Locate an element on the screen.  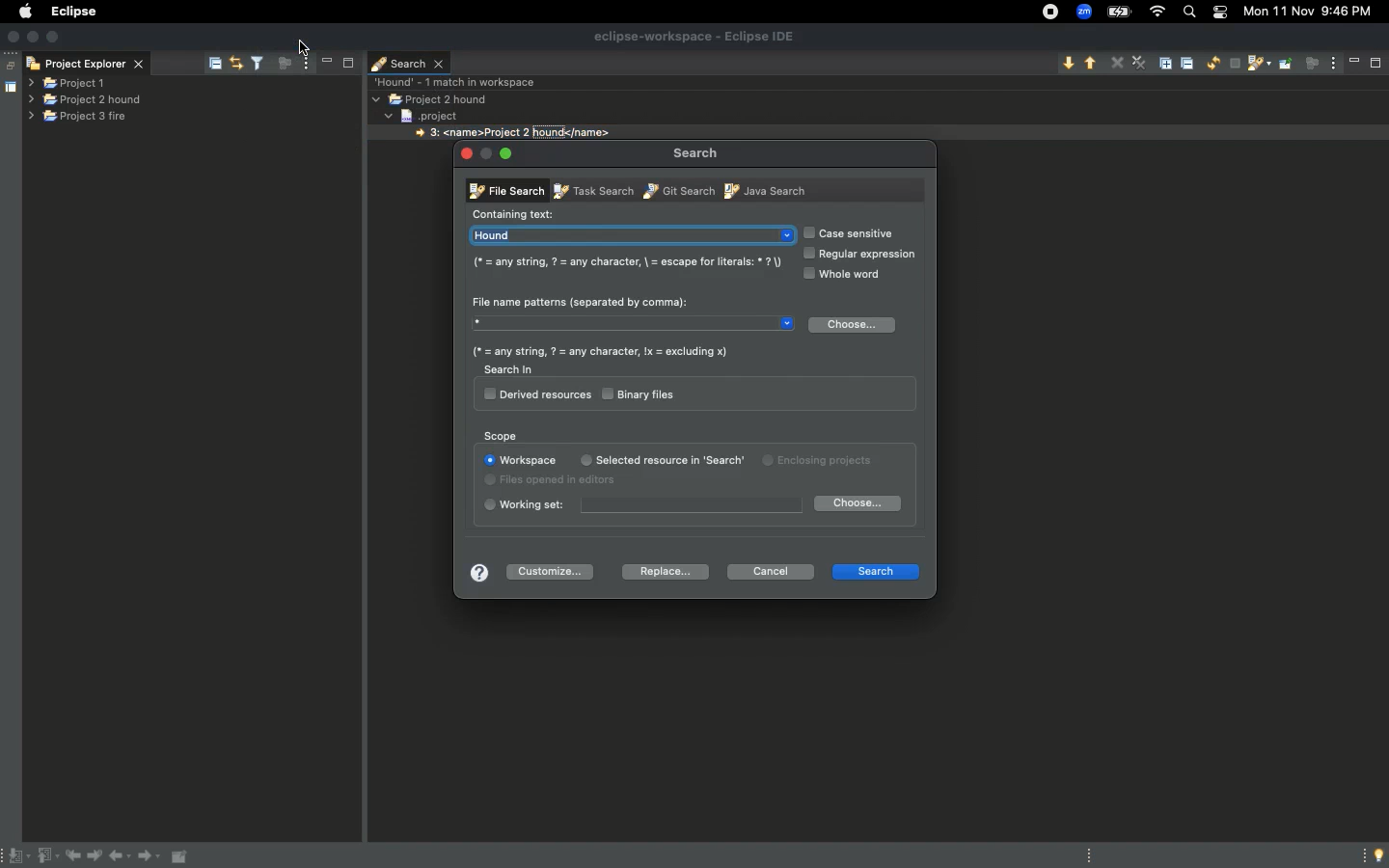
Apple logo is located at coordinates (26, 11).